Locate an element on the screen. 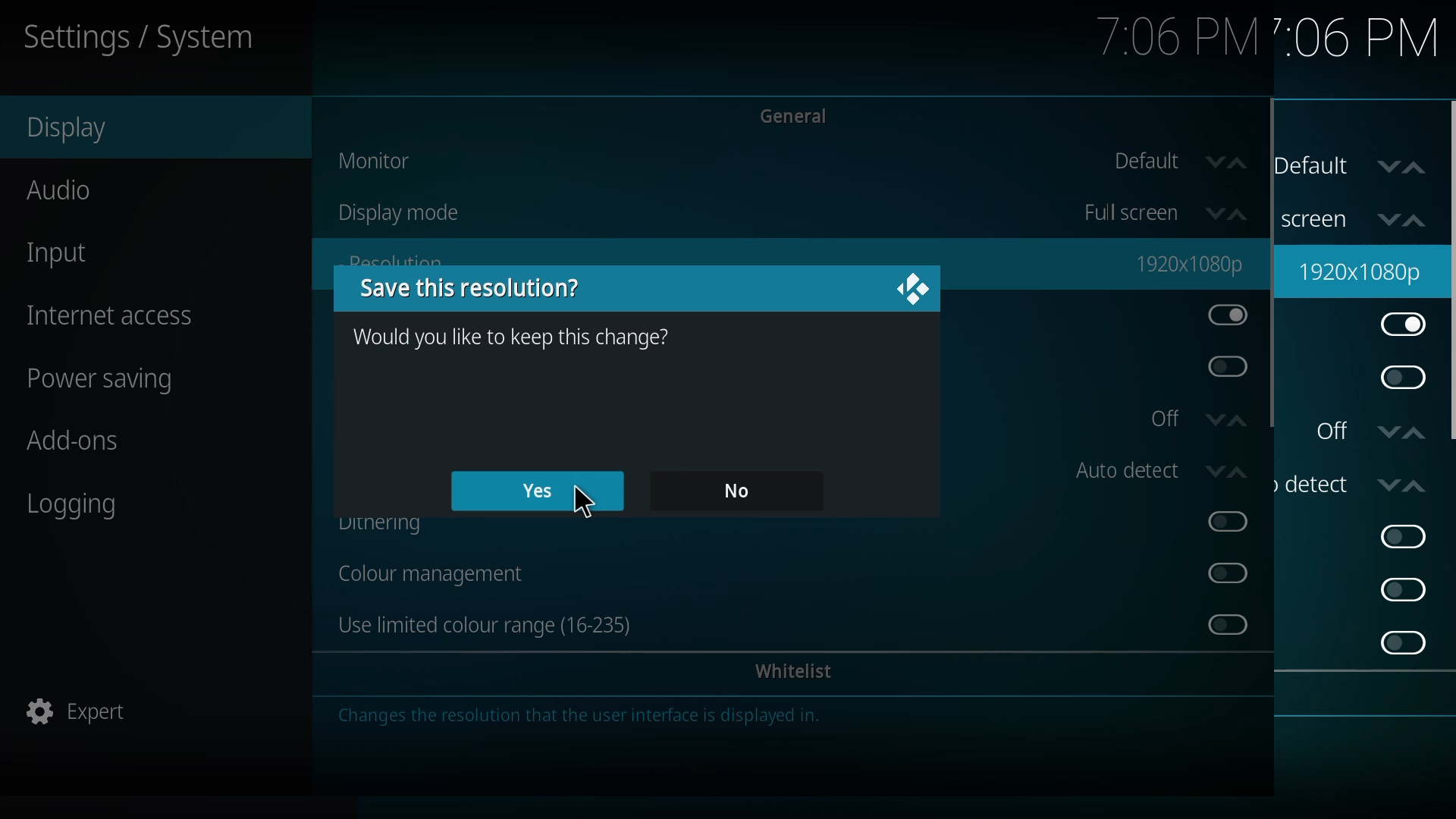 The height and width of the screenshot is (819, 1456). auto detect is located at coordinates (1358, 482).